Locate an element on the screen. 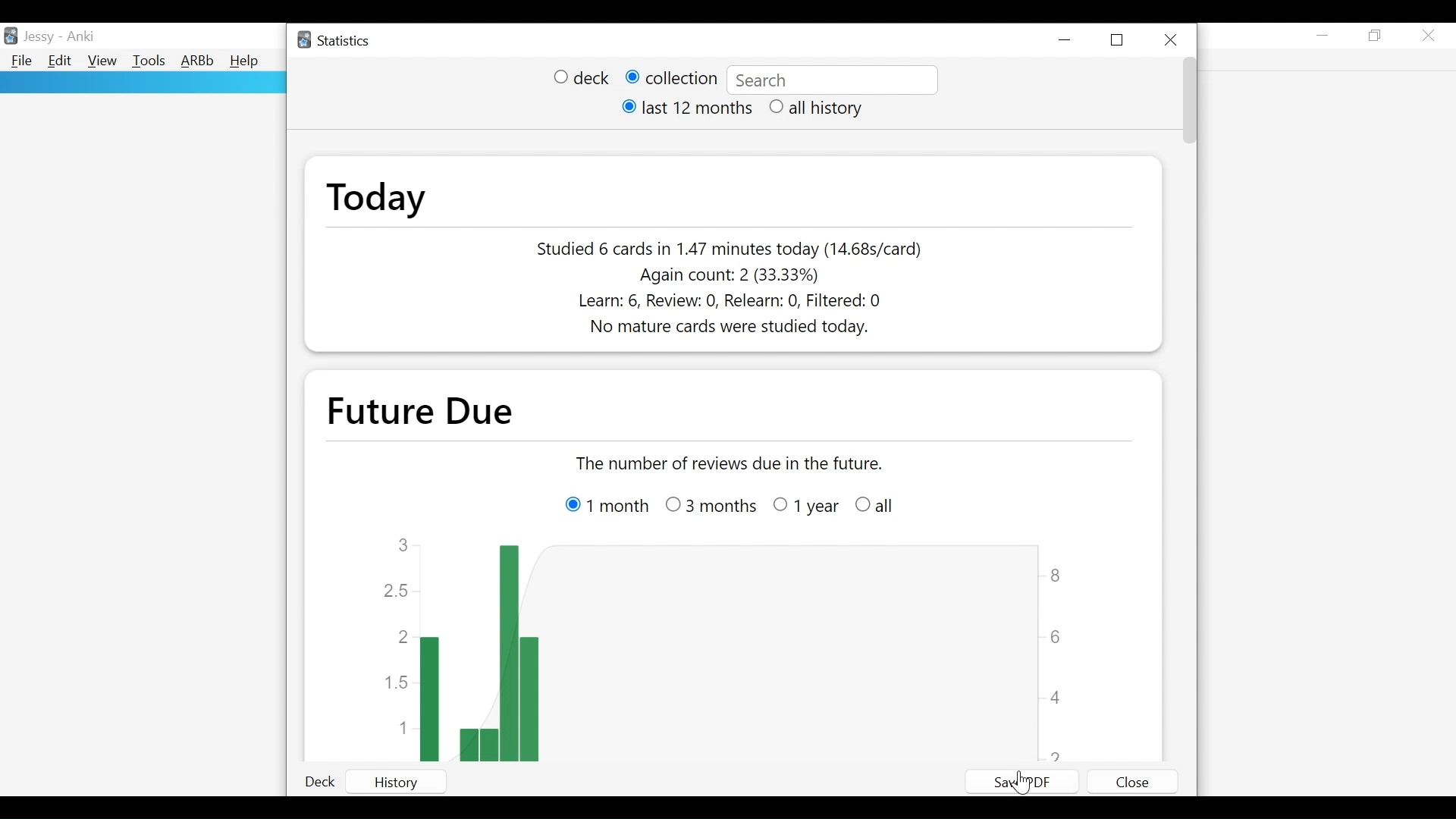  Vertical Scroll bar is located at coordinates (1188, 103).